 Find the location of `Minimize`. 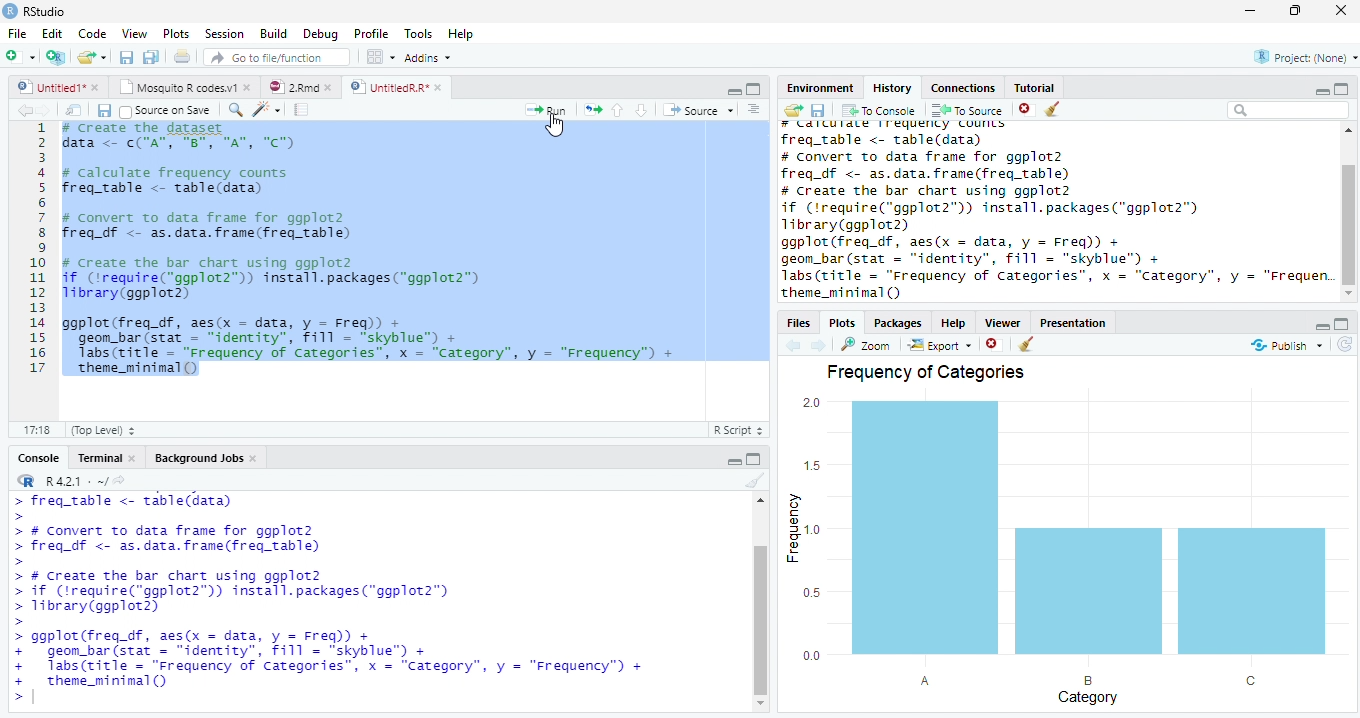

Minimize is located at coordinates (734, 461).